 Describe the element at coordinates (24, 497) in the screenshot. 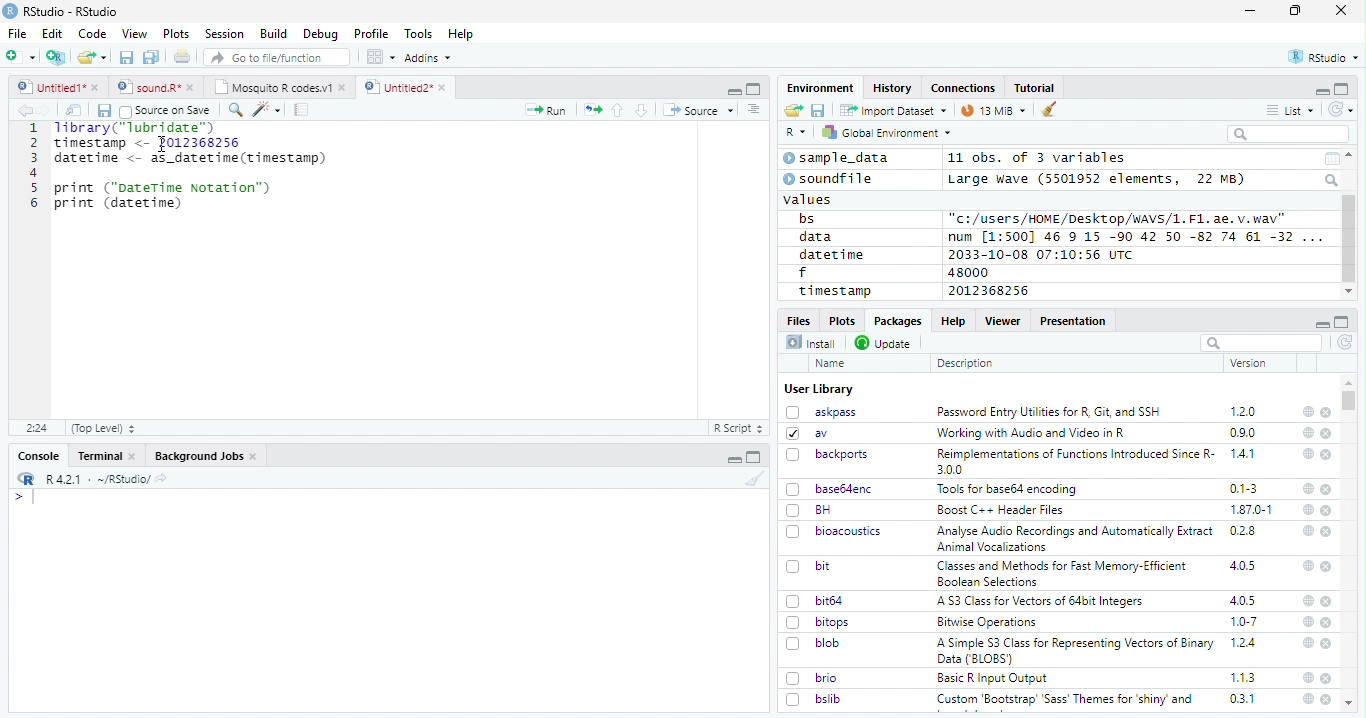

I see `typing cursor` at that location.